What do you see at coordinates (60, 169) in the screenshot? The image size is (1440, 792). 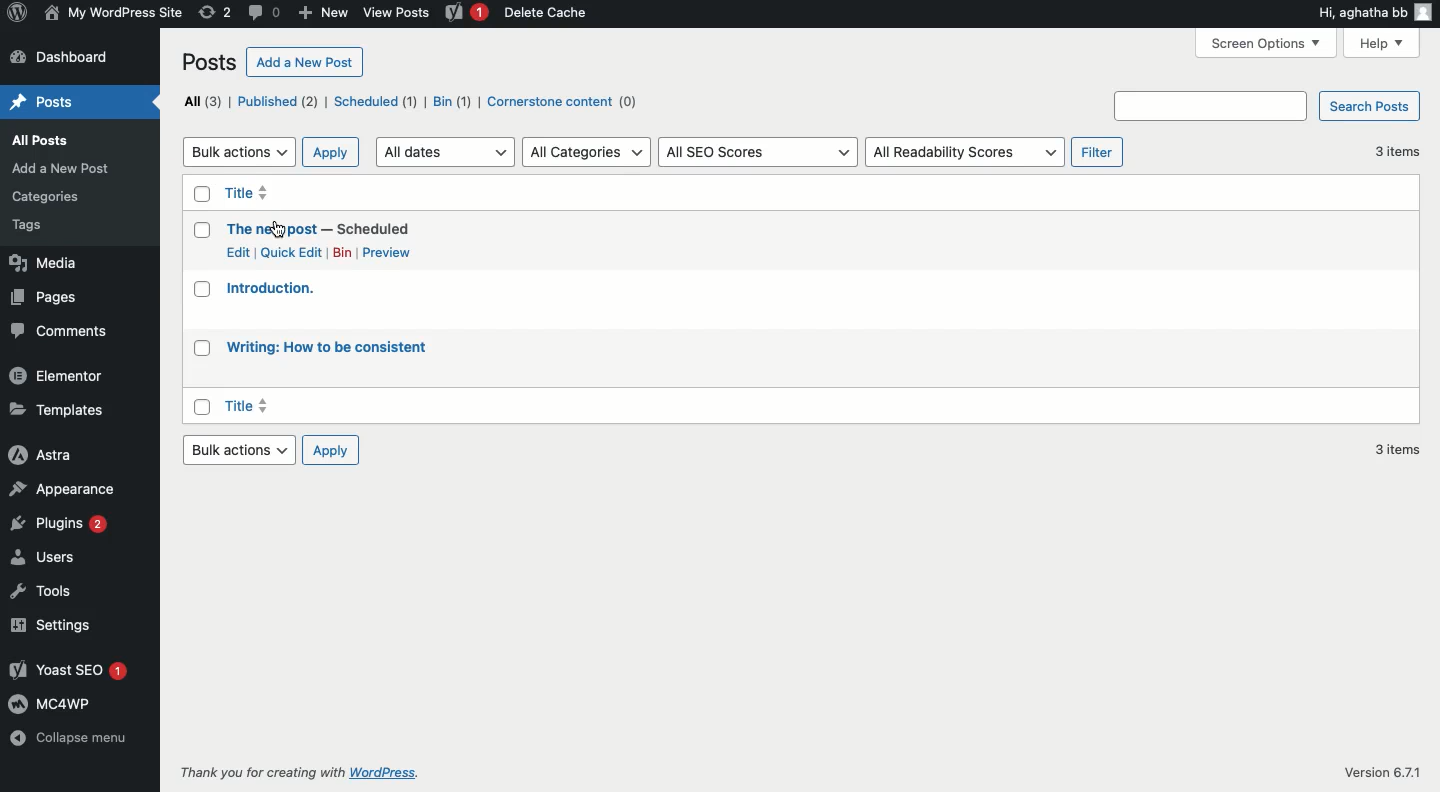 I see `Add a New Post` at bounding box center [60, 169].